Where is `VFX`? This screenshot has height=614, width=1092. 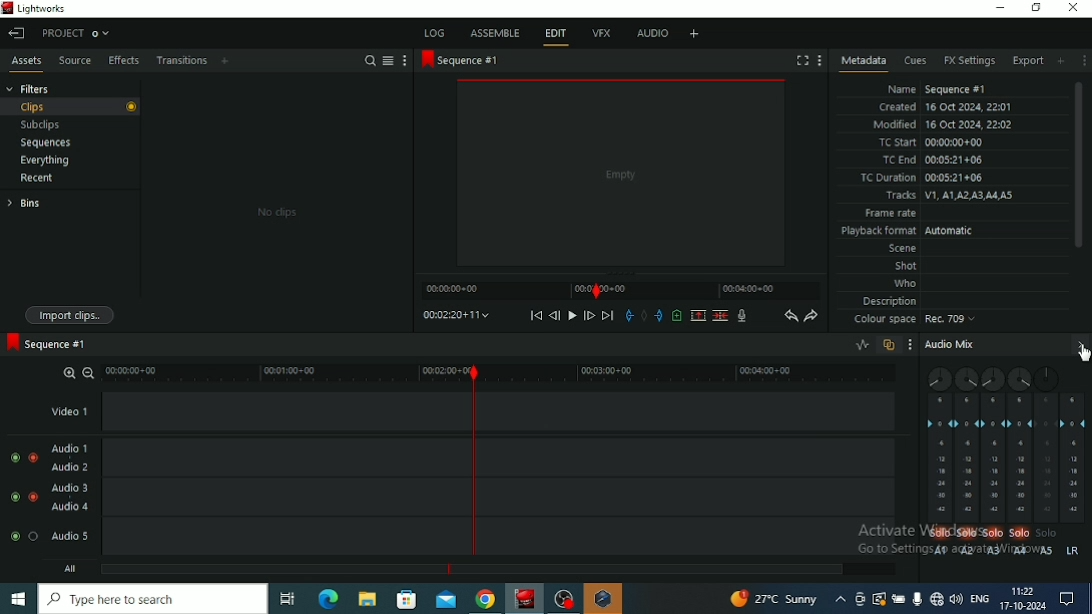
VFX is located at coordinates (601, 32).